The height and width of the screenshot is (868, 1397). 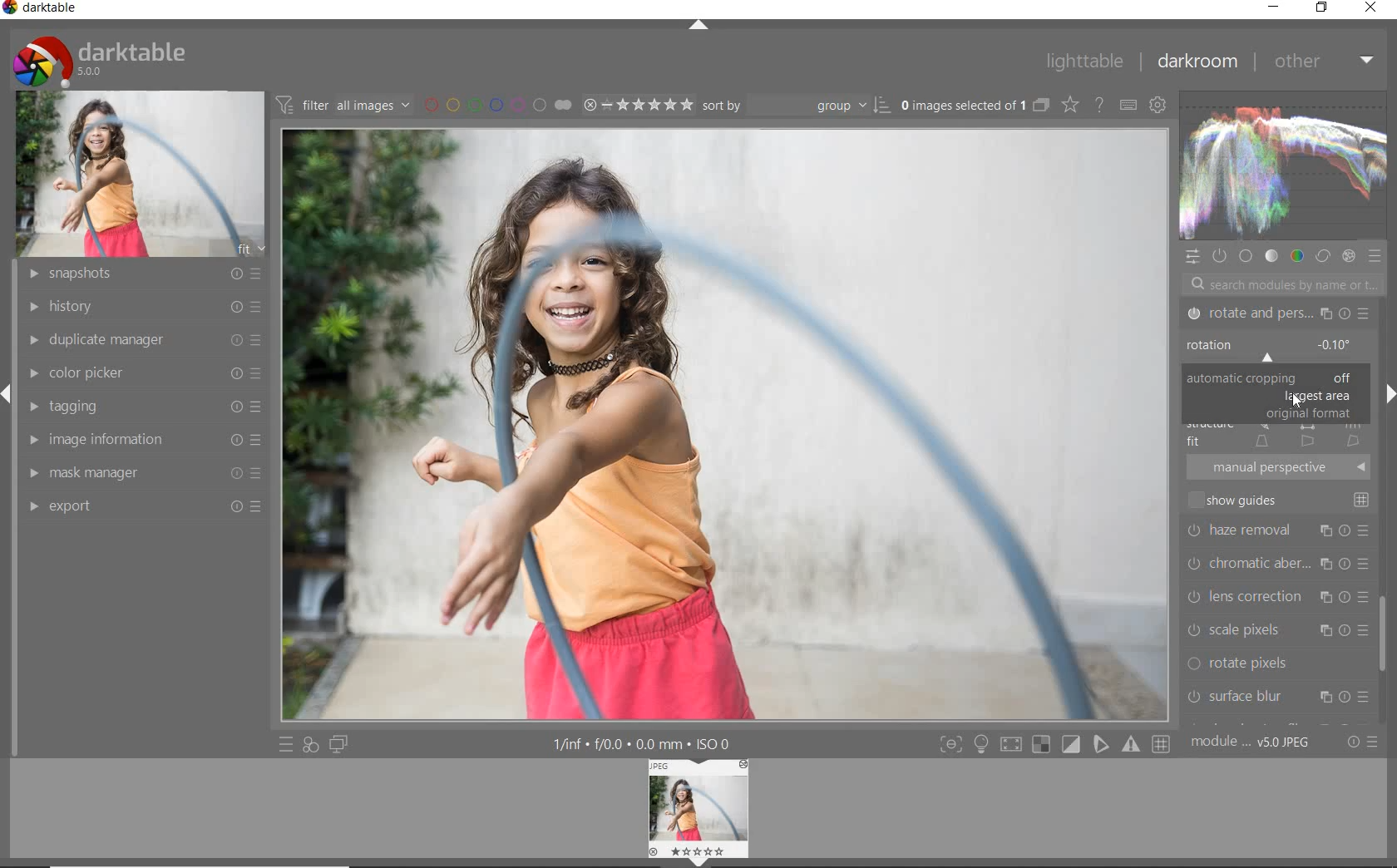 I want to click on quick access for applying of your style, so click(x=309, y=743).